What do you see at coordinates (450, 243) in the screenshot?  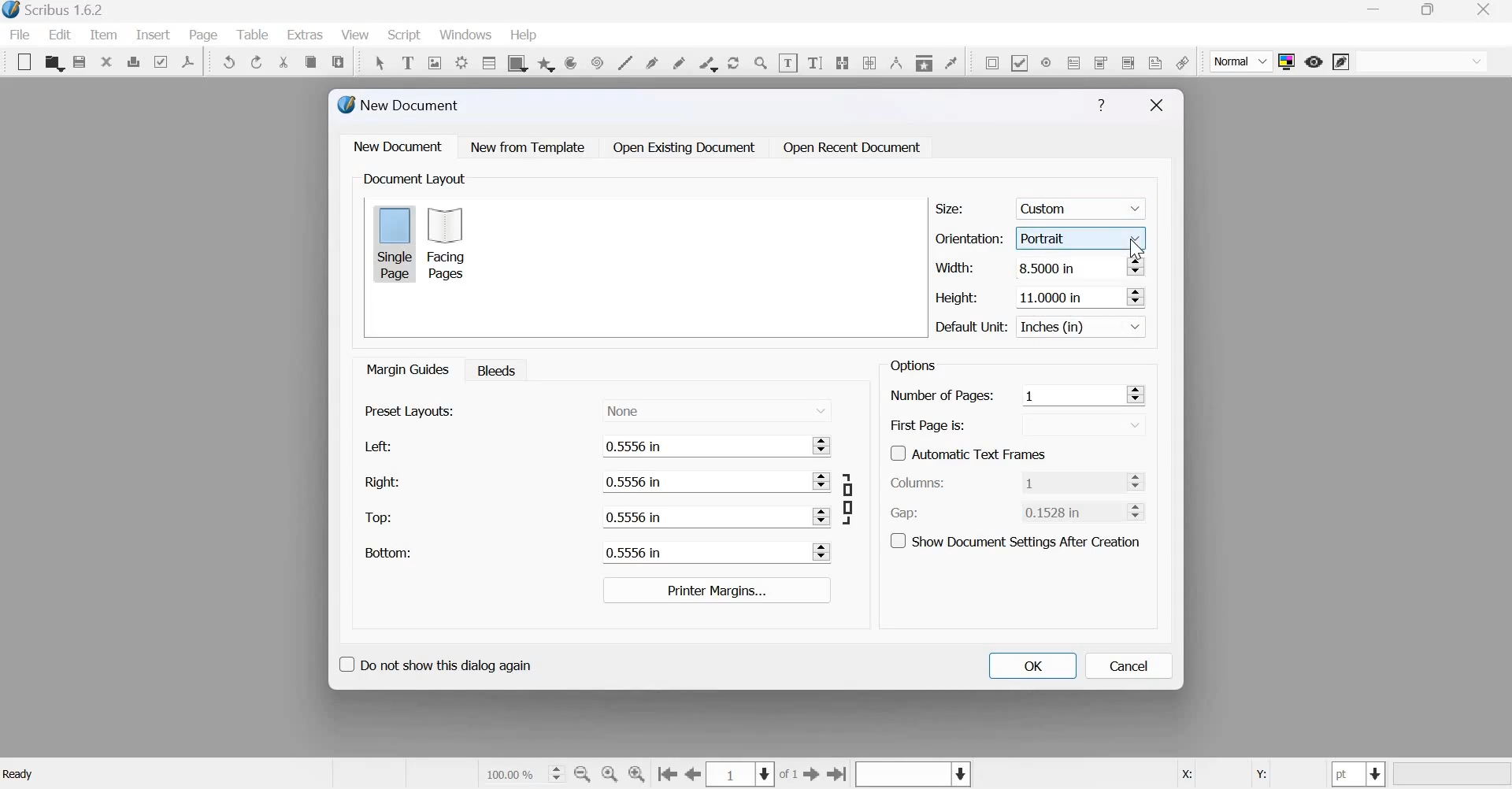 I see `Facing pages` at bounding box center [450, 243].